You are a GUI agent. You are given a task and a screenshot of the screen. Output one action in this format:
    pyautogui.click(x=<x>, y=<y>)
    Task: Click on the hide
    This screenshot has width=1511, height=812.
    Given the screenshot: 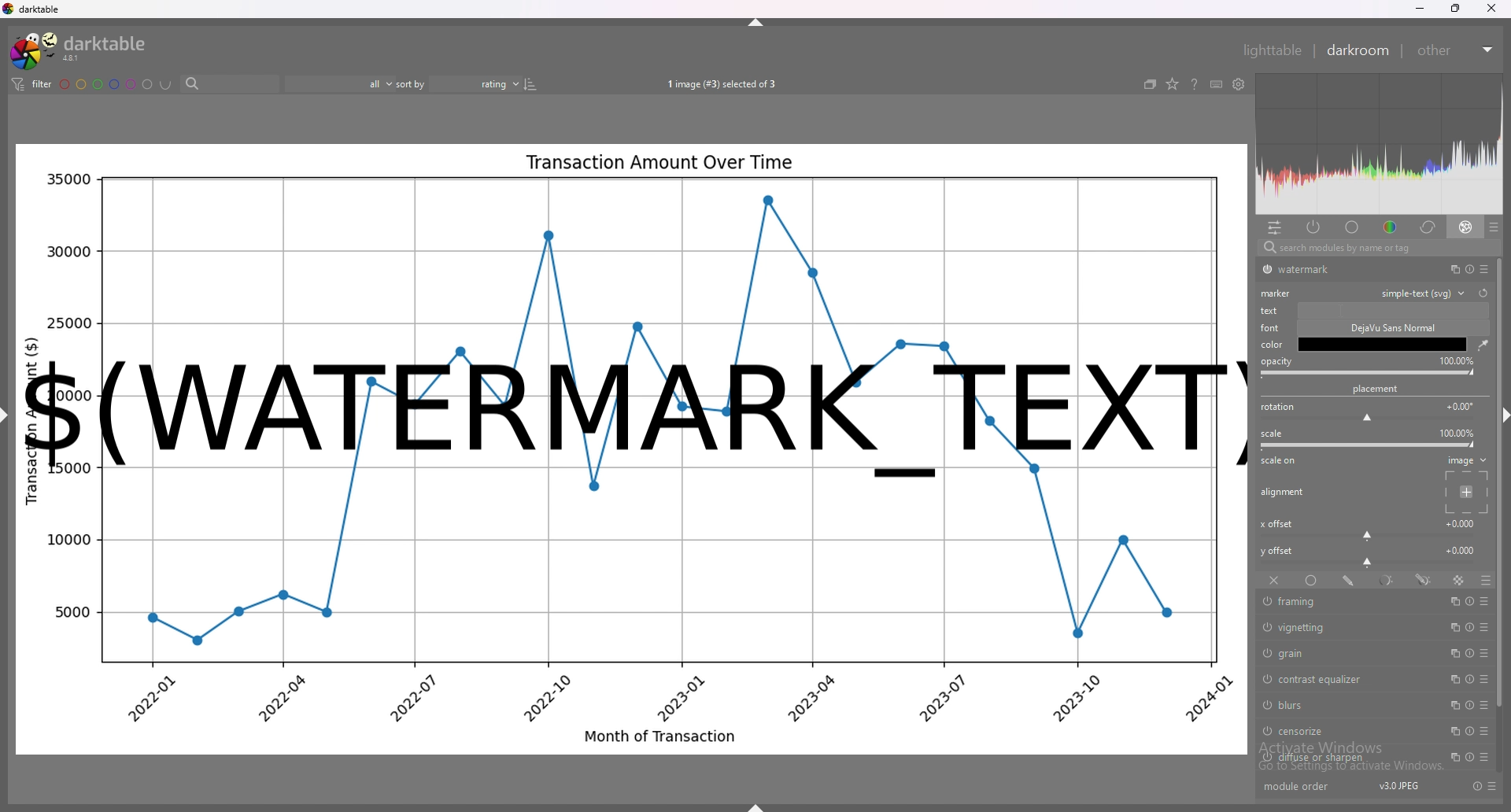 What is the action you would take?
    pyautogui.click(x=757, y=22)
    